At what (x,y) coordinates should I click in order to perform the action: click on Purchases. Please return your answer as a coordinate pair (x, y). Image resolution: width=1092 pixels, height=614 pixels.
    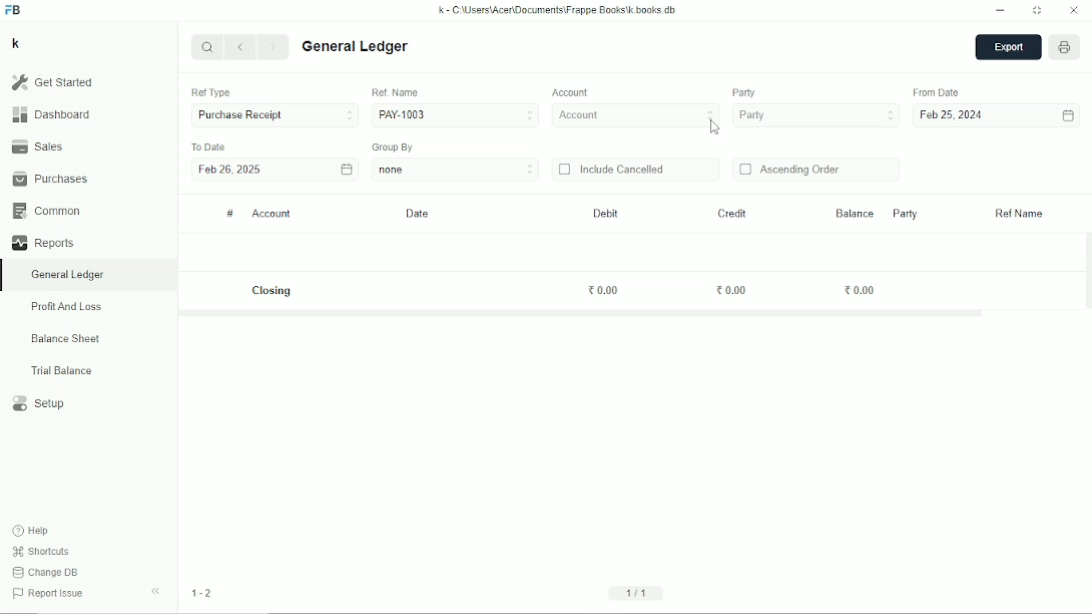
    Looking at the image, I should click on (50, 178).